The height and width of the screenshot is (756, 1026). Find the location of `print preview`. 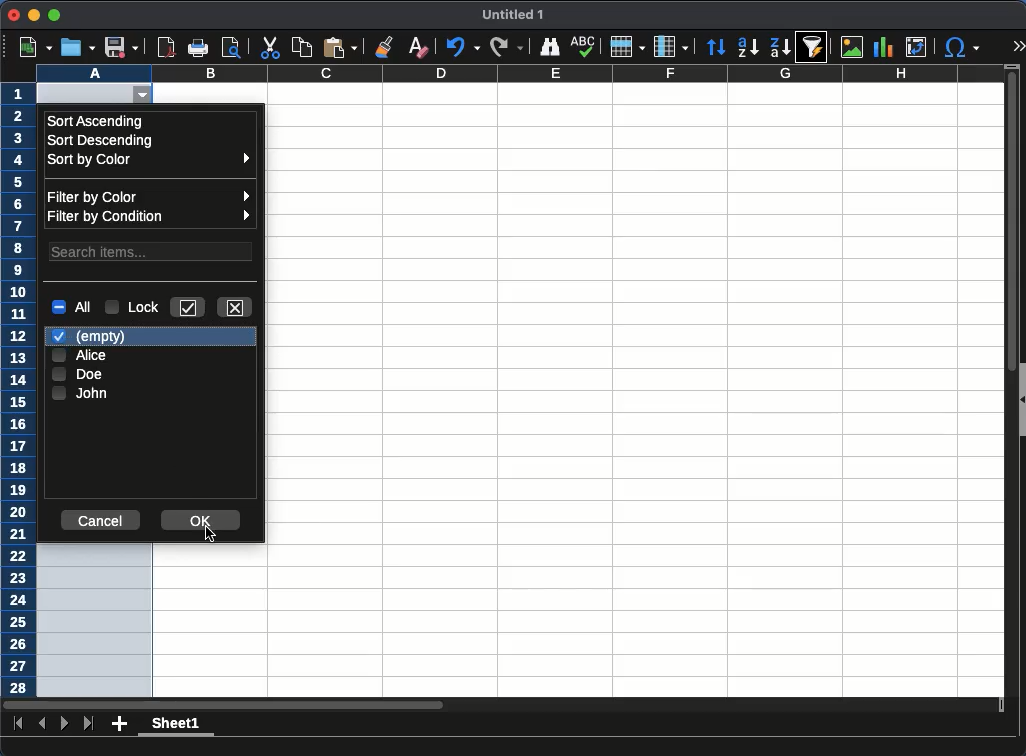

print preview is located at coordinates (231, 47).